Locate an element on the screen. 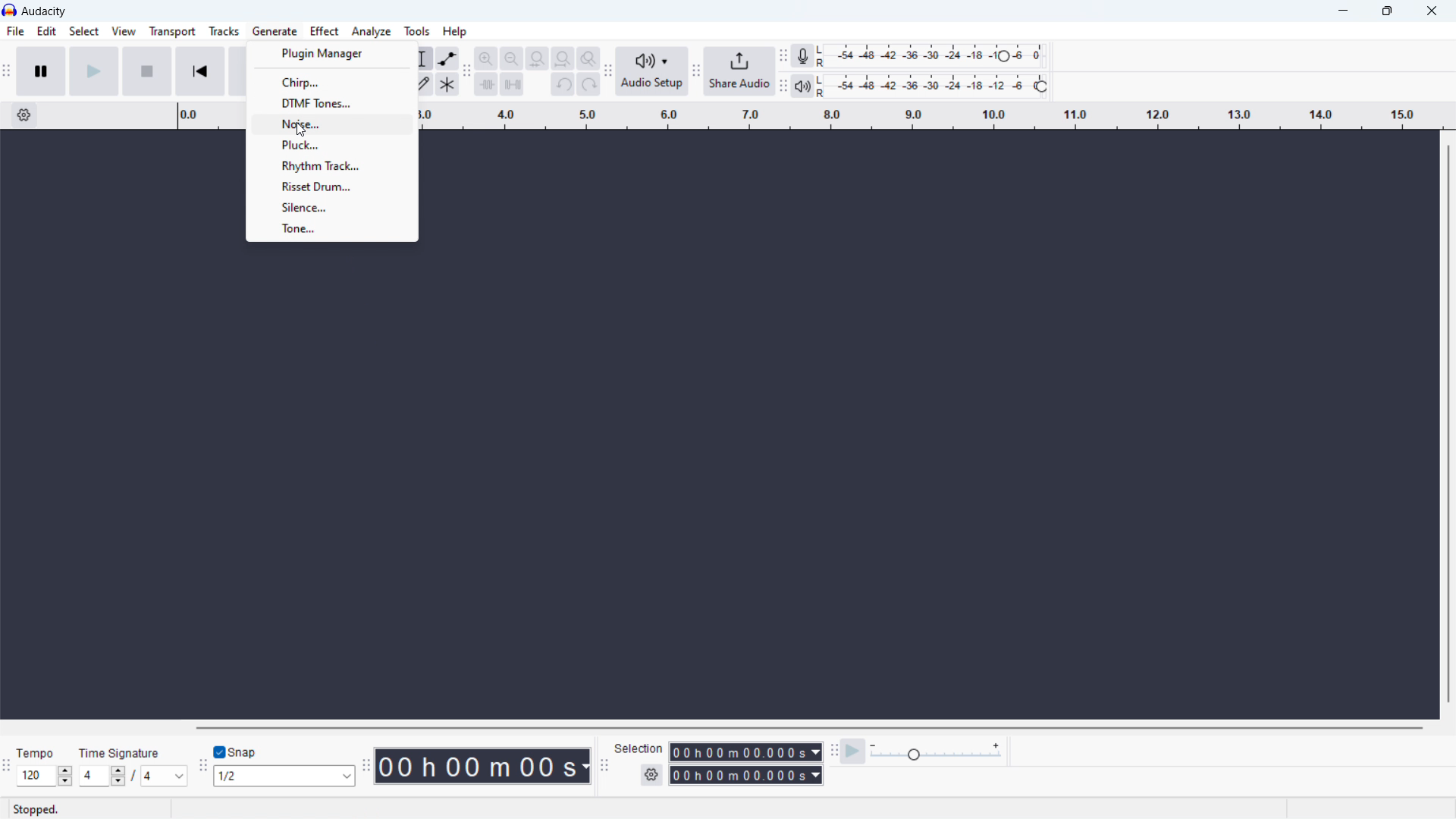 This screenshot has width=1456, height=819. selection toolbar is located at coordinates (604, 763).